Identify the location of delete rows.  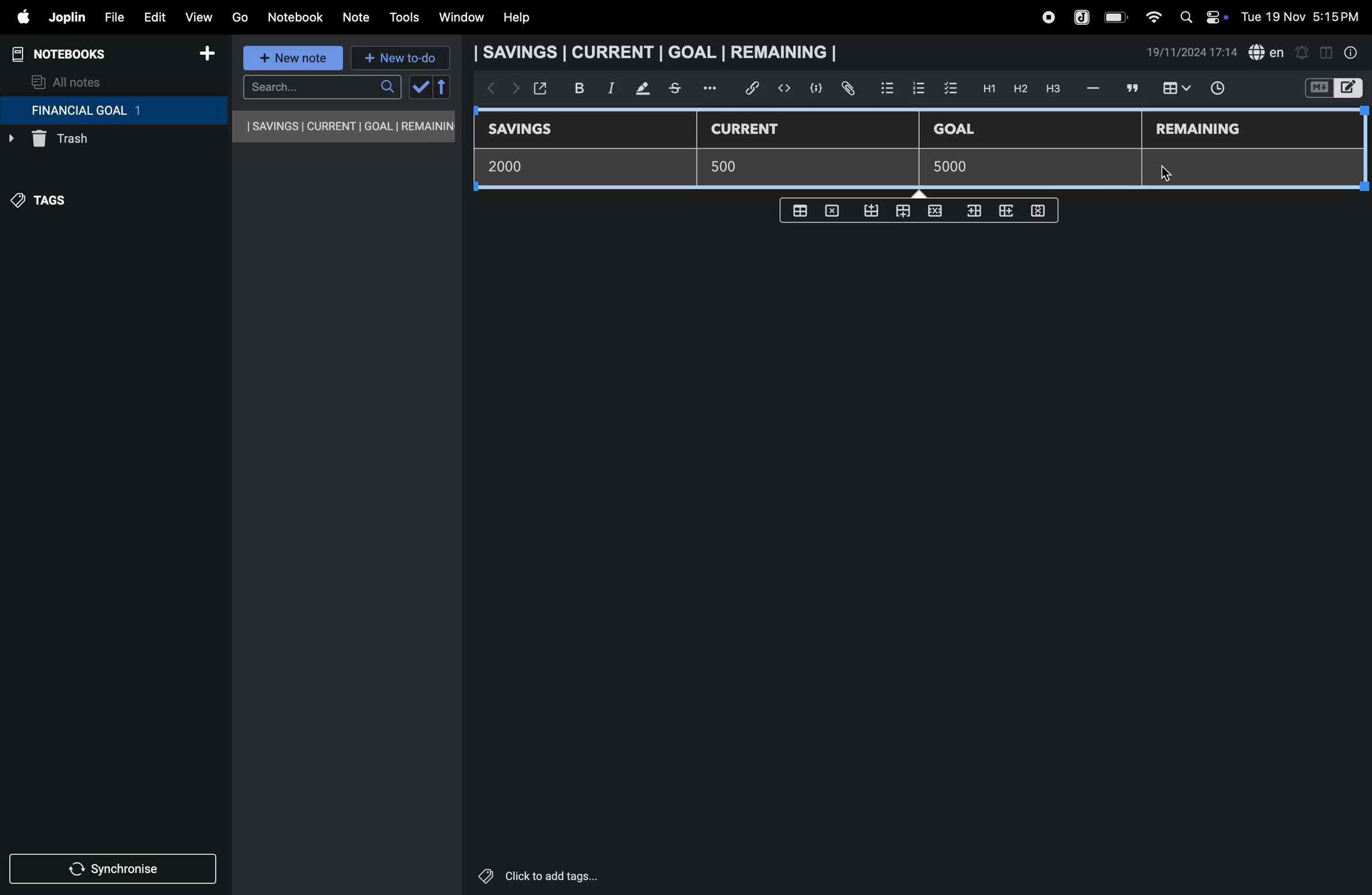
(1039, 210).